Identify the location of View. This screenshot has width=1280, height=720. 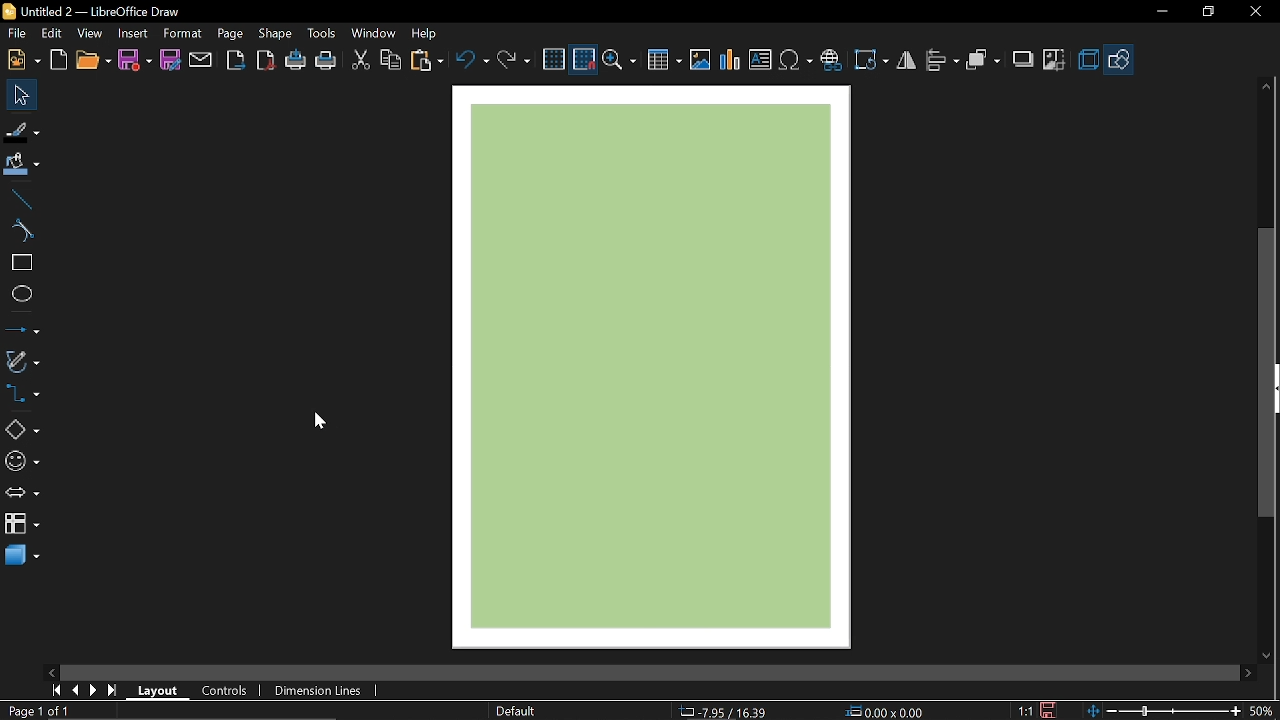
(89, 35).